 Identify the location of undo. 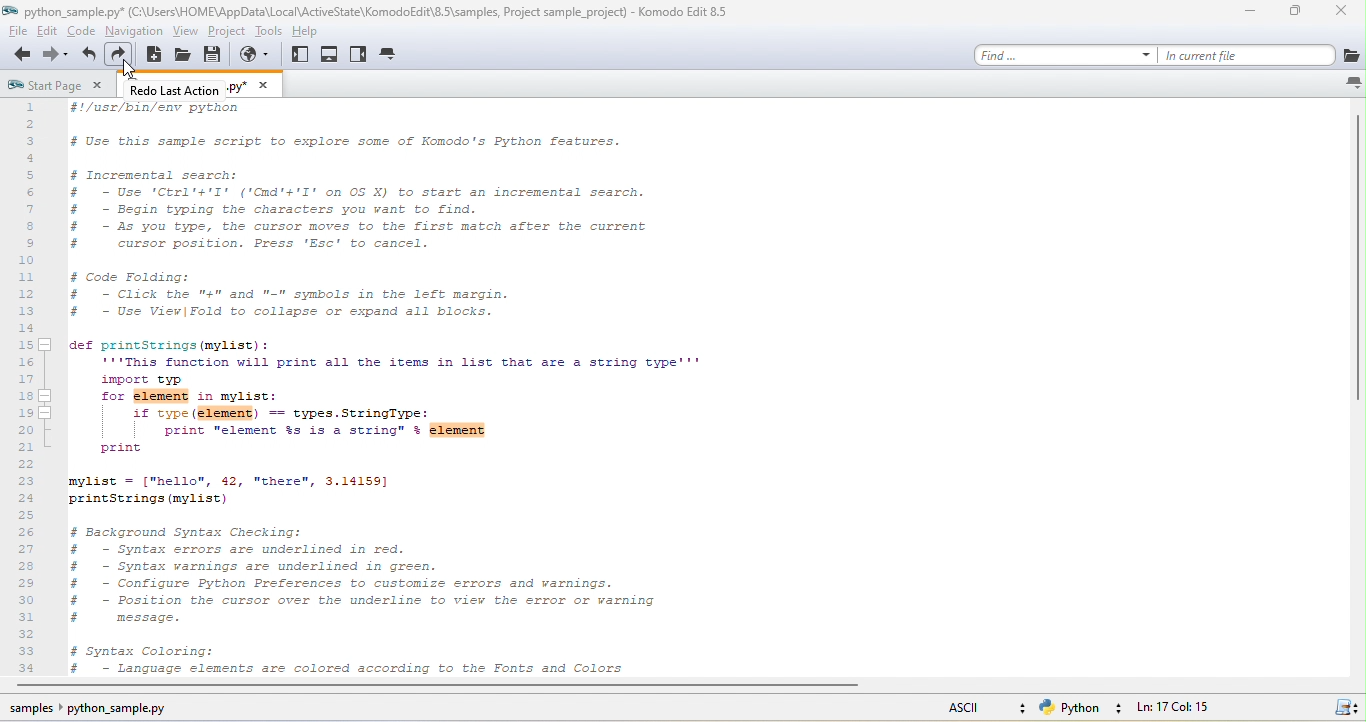
(90, 55).